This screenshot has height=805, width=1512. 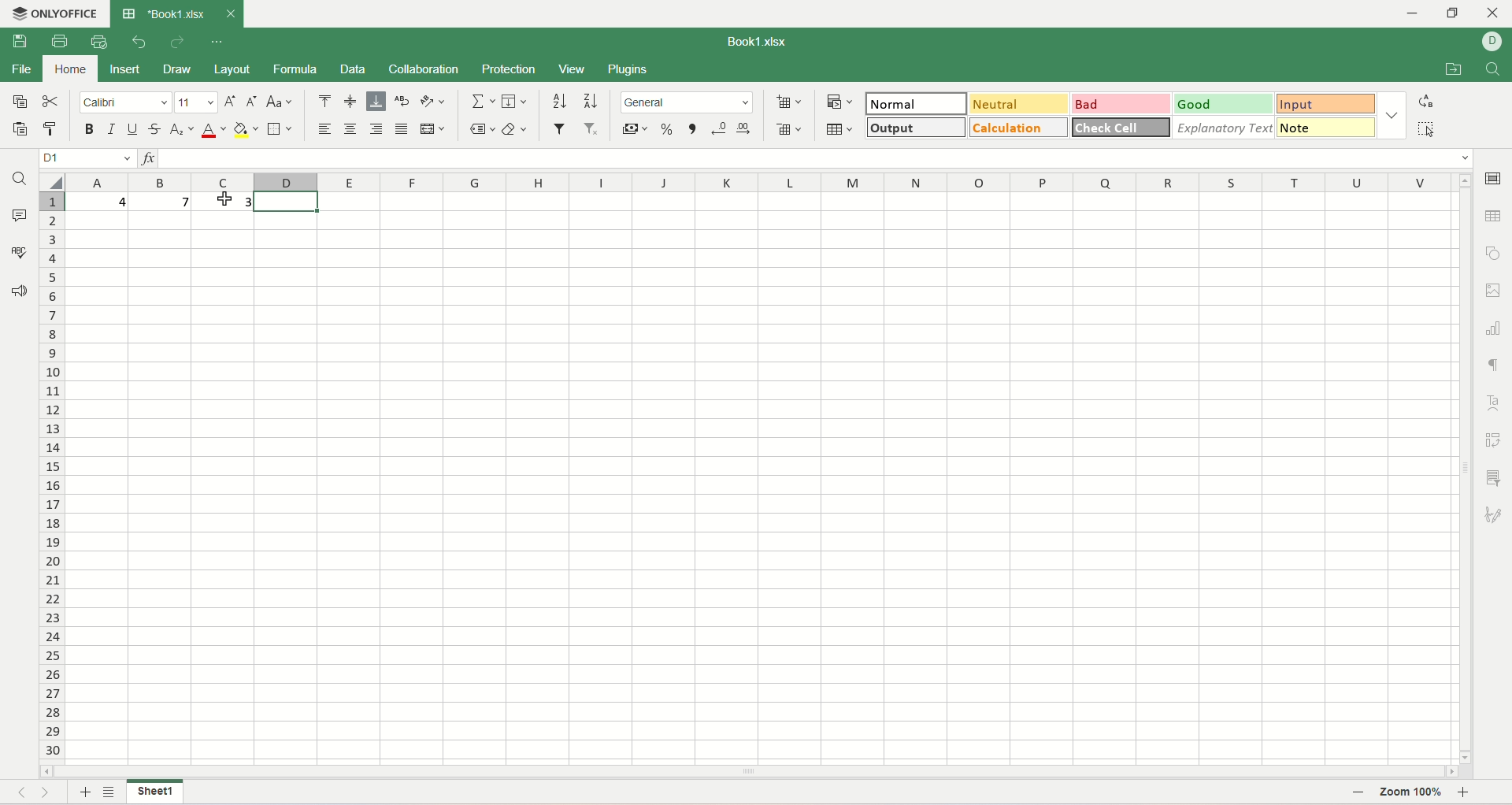 What do you see at coordinates (21, 131) in the screenshot?
I see `paste` at bounding box center [21, 131].